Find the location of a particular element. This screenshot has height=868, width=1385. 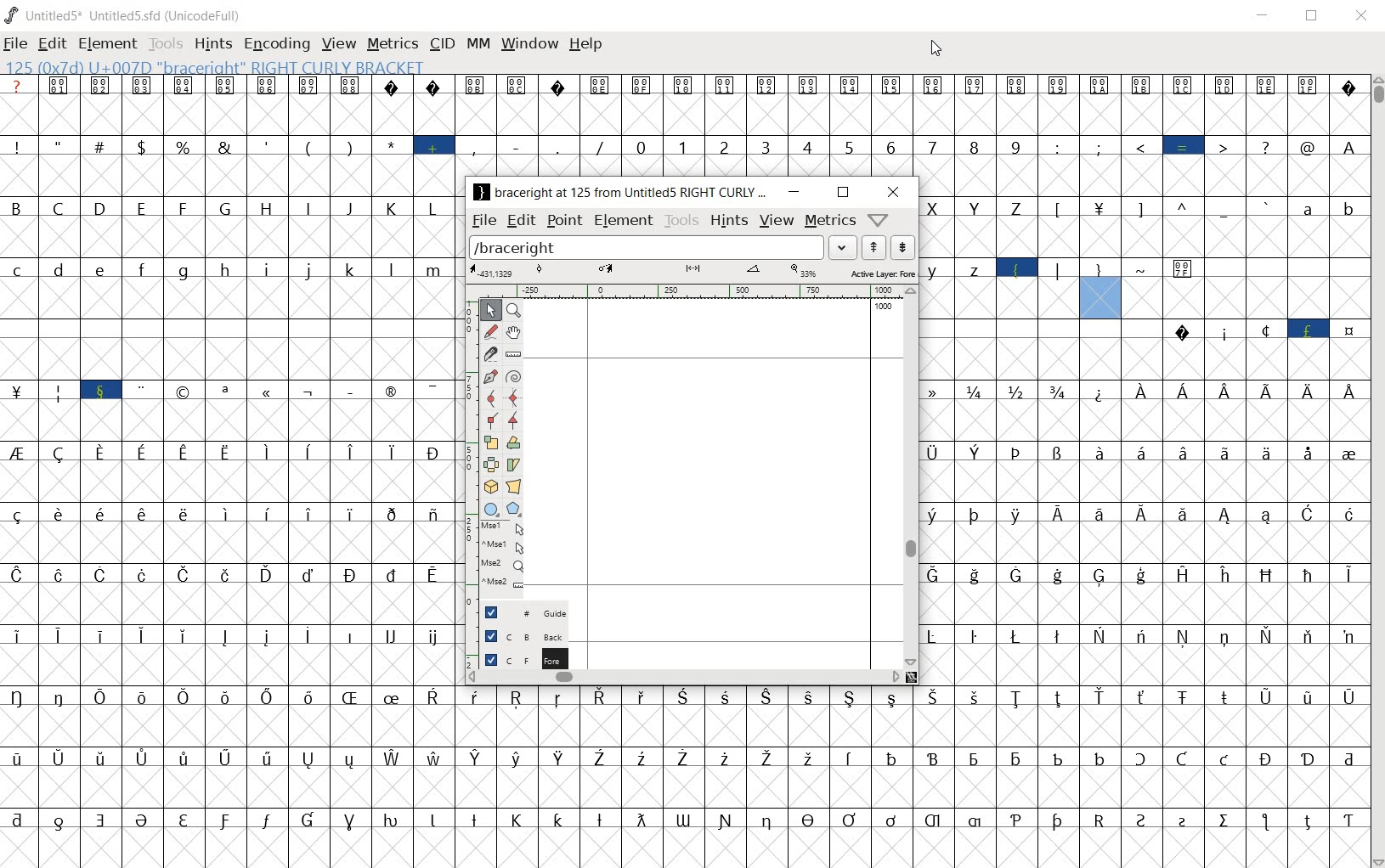

Help/Window is located at coordinates (879, 221).